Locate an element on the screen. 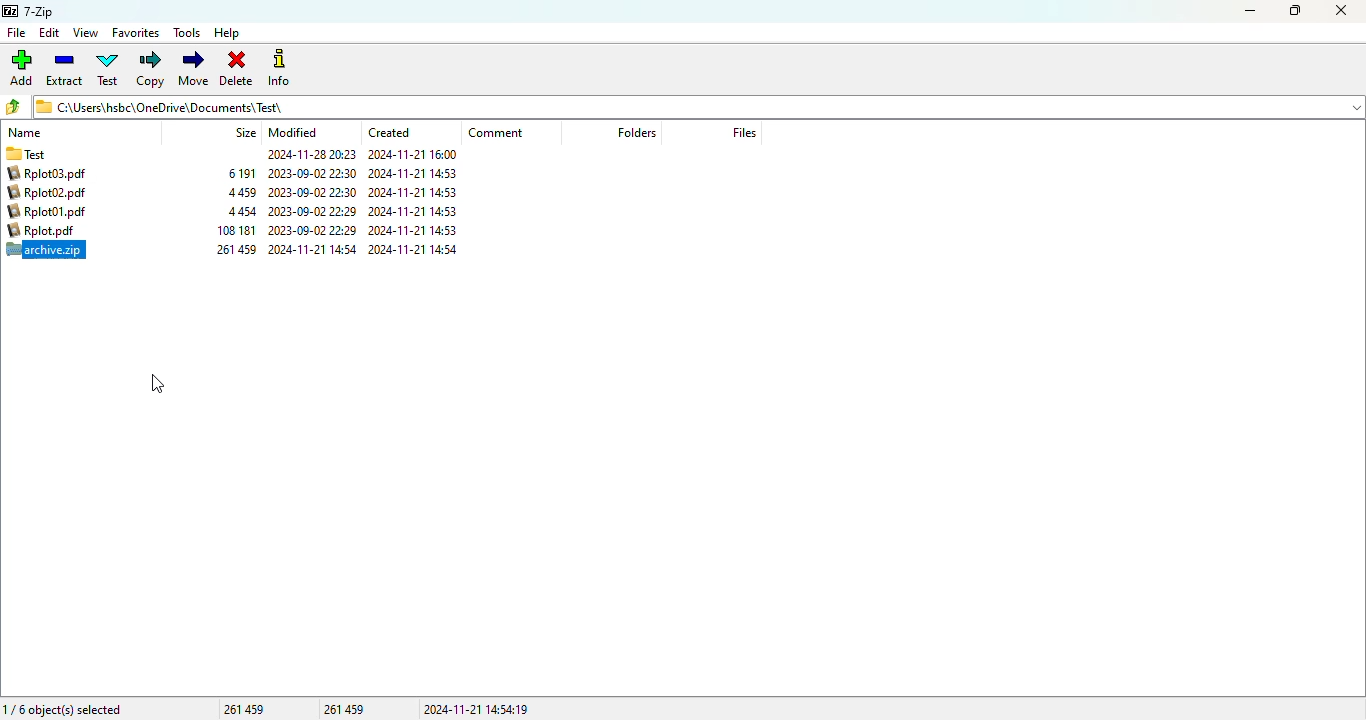 This screenshot has width=1366, height=720. delete is located at coordinates (237, 68).